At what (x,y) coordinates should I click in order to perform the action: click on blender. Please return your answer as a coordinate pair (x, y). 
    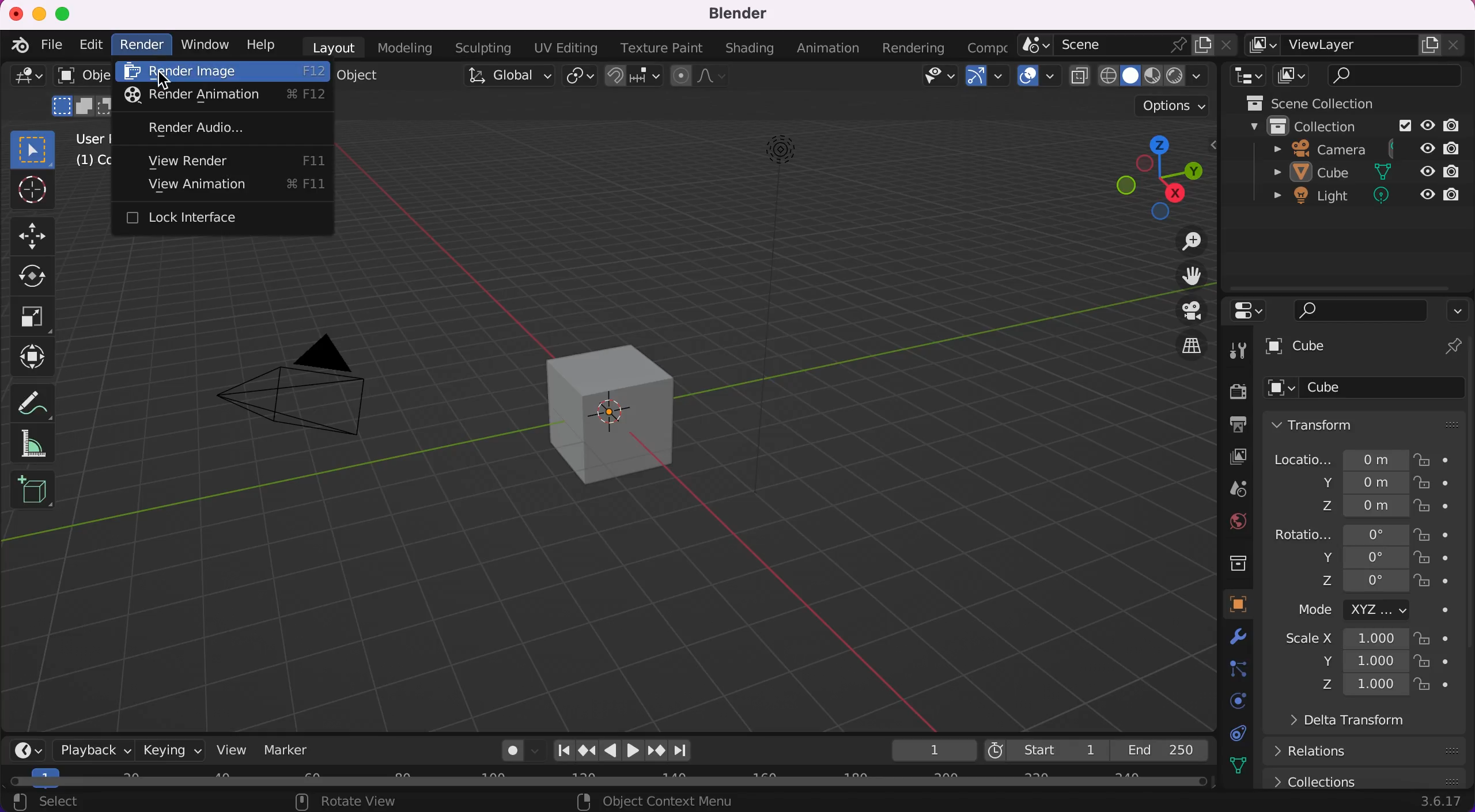
    Looking at the image, I should click on (734, 16).